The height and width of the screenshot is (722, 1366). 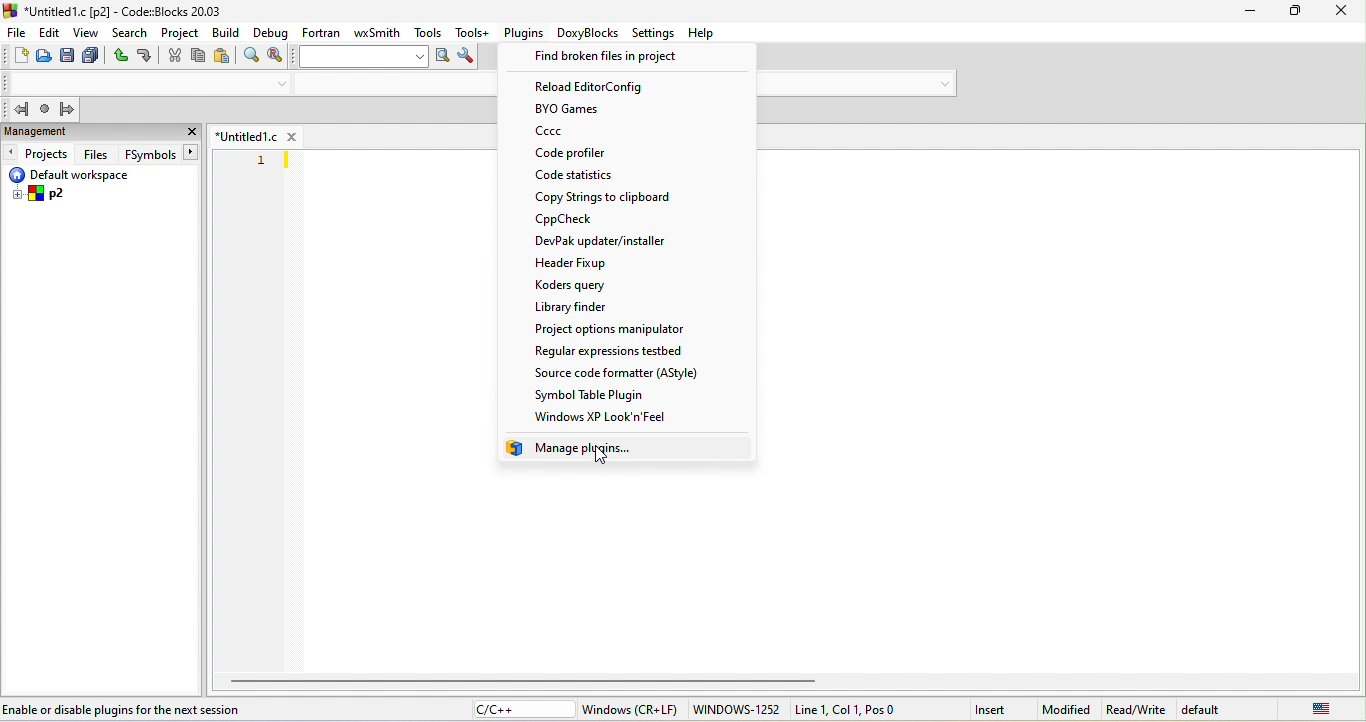 What do you see at coordinates (574, 154) in the screenshot?
I see `code profiler` at bounding box center [574, 154].